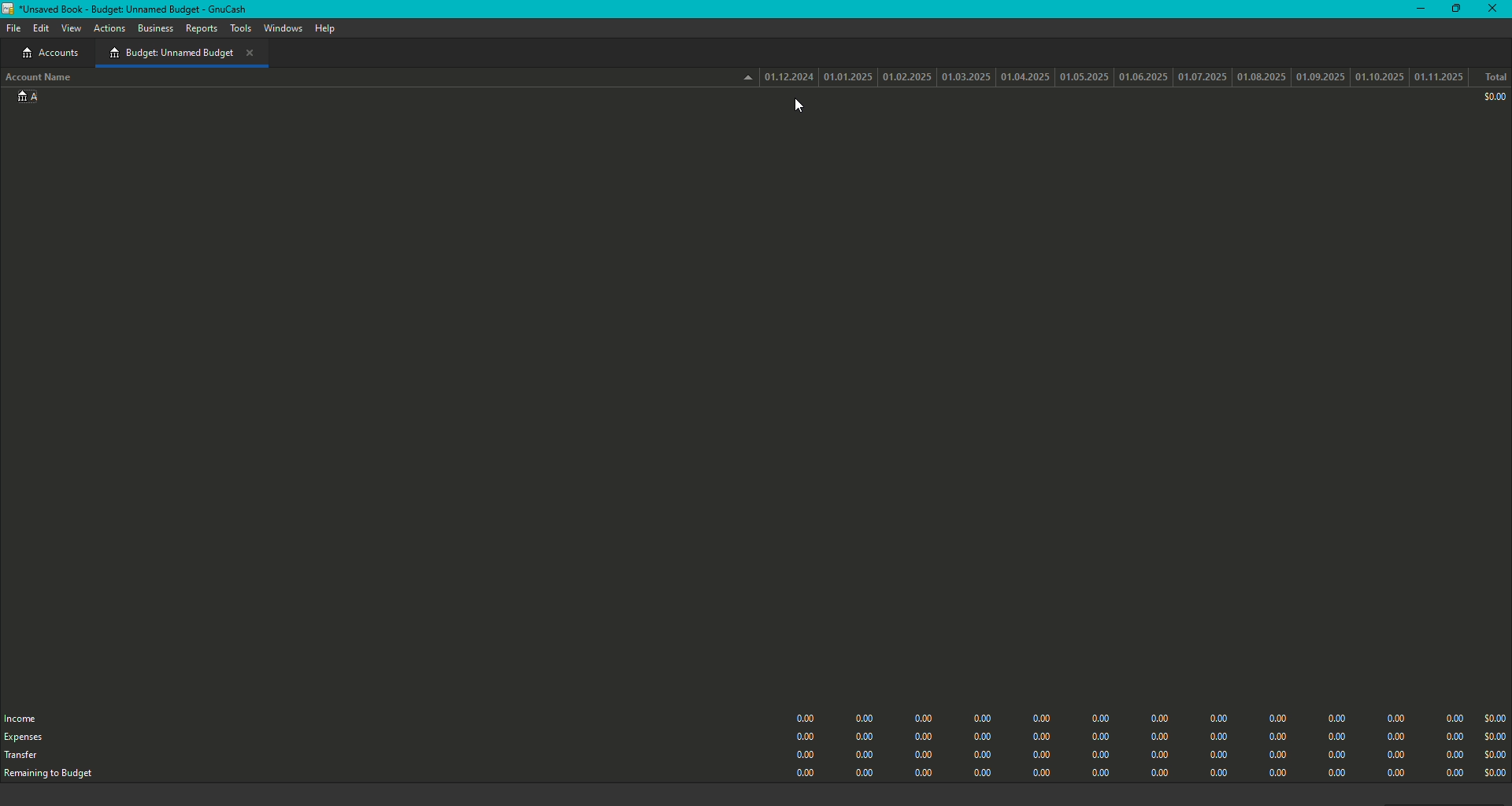 Image resolution: width=1512 pixels, height=806 pixels. I want to click on Accounts, so click(47, 54).